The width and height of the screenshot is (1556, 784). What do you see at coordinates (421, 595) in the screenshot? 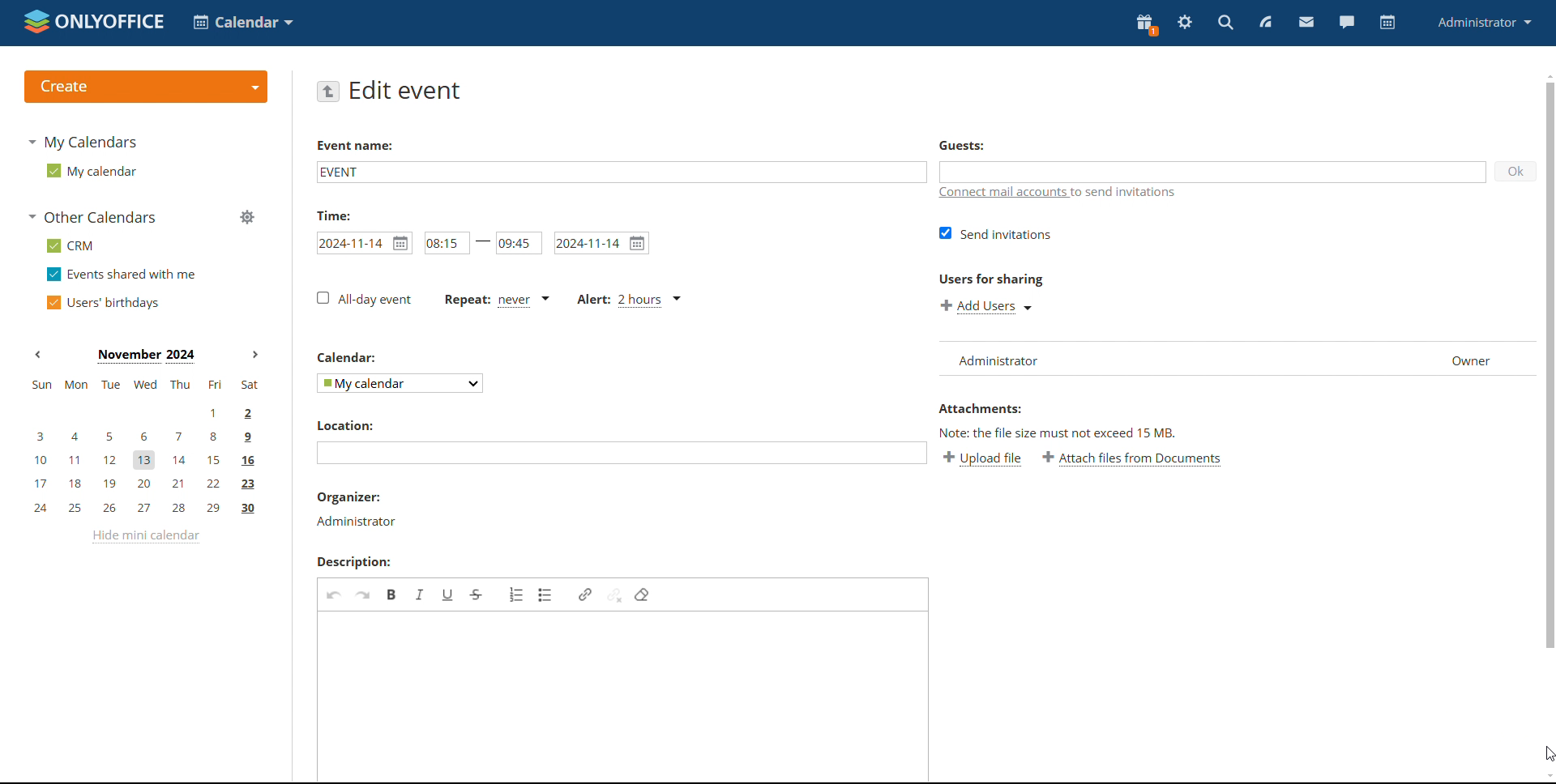
I see `italic` at bounding box center [421, 595].